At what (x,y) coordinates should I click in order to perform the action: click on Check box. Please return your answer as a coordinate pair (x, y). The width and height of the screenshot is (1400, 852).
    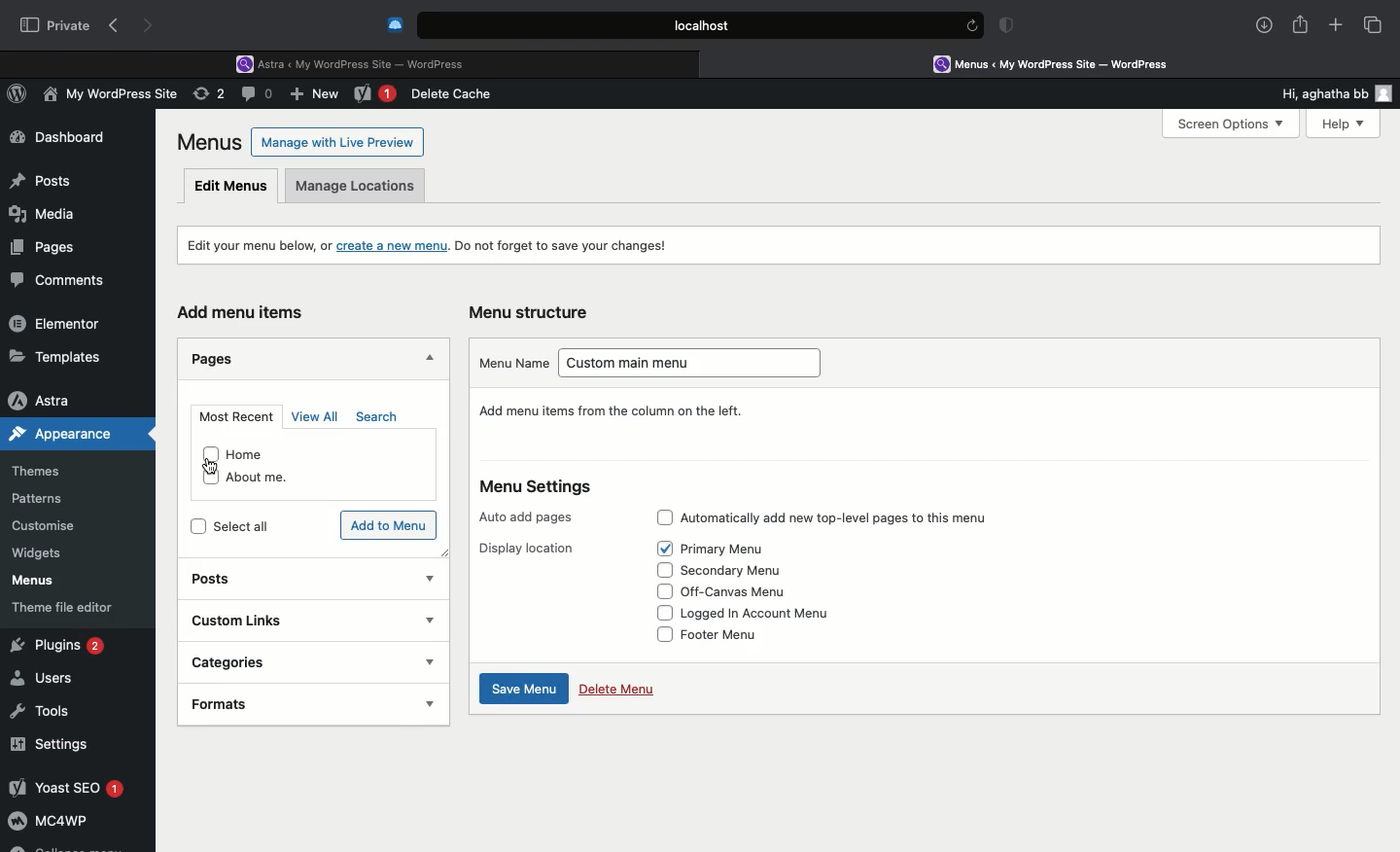
    Looking at the image, I should click on (660, 634).